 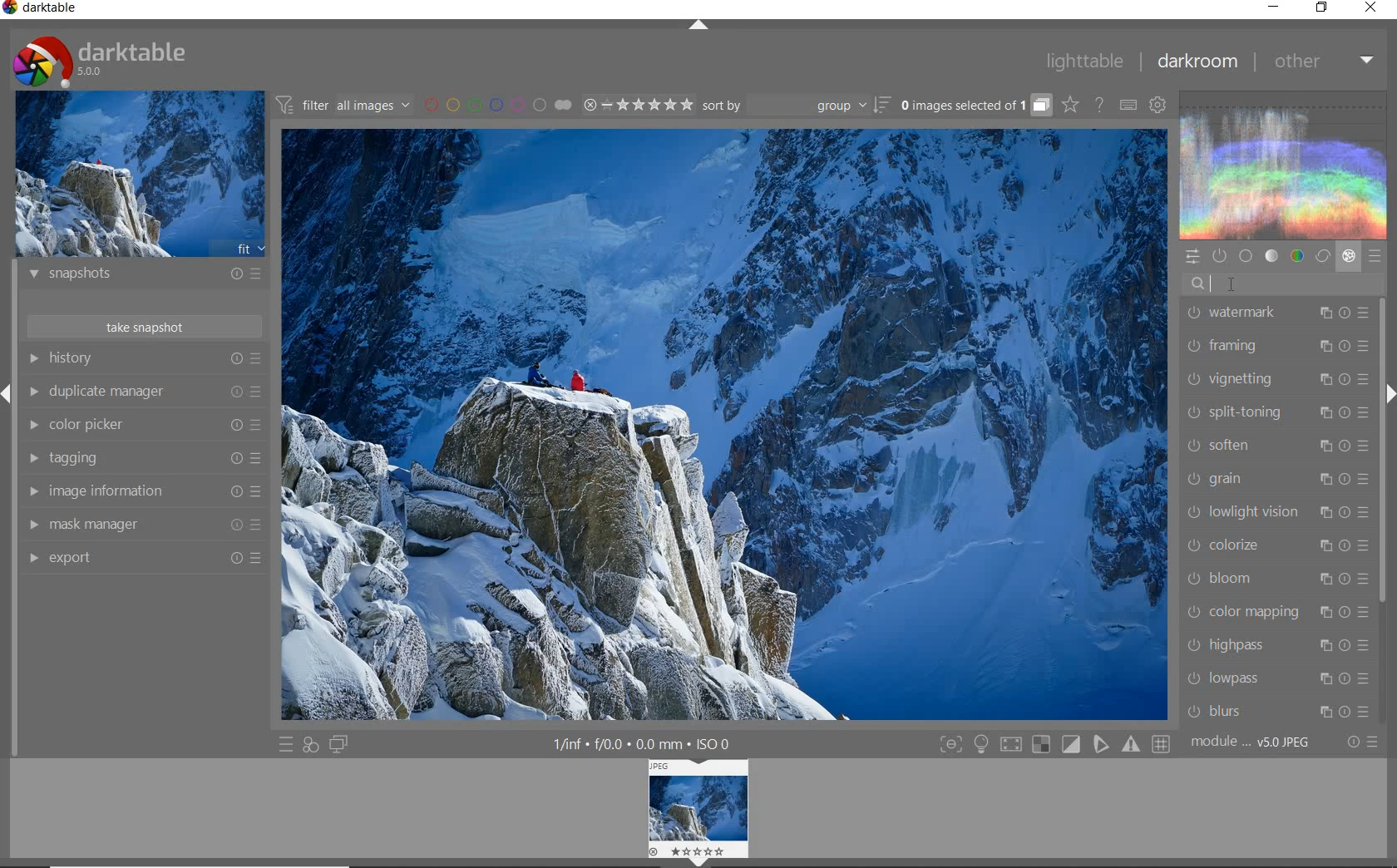 What do you see at coordinates (1054, 742) in the screenshot?
I see `Toggle modes` at bounding box center [1054, 742].